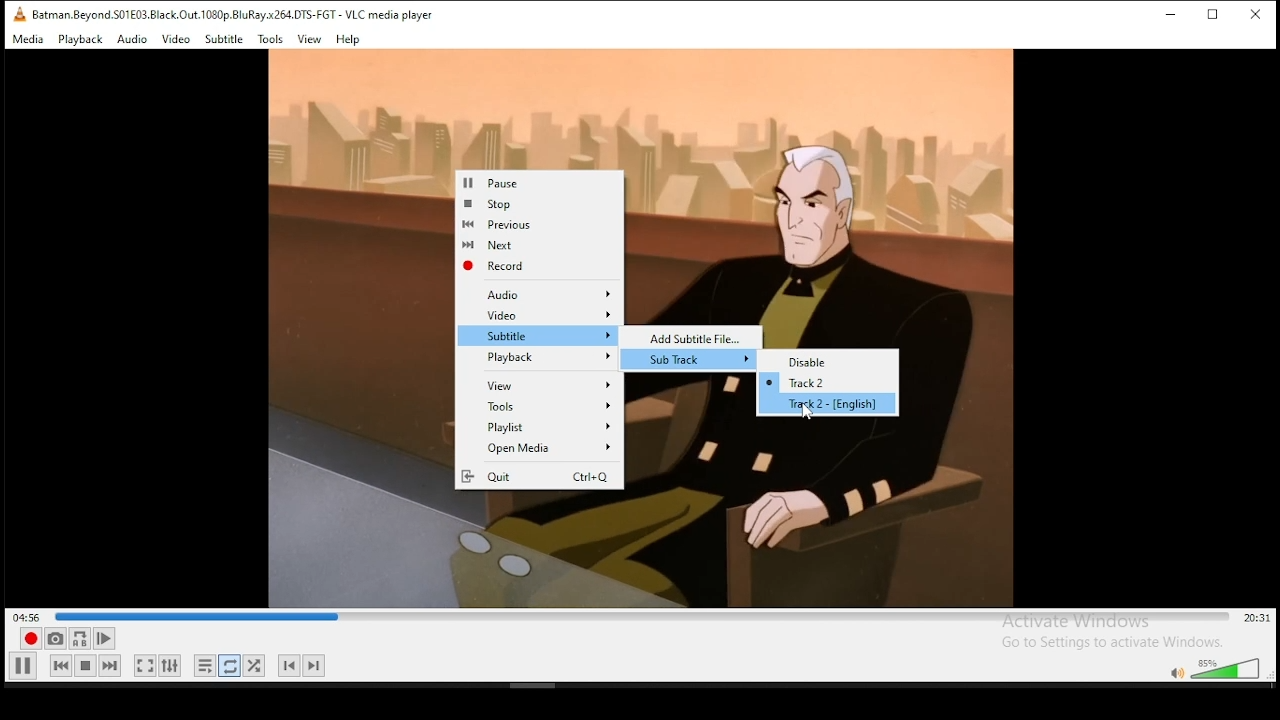 The image size is (1280, 720). Describe the element at coordinates (1175, 16) in the screenshot. I see `minimize` at that location.